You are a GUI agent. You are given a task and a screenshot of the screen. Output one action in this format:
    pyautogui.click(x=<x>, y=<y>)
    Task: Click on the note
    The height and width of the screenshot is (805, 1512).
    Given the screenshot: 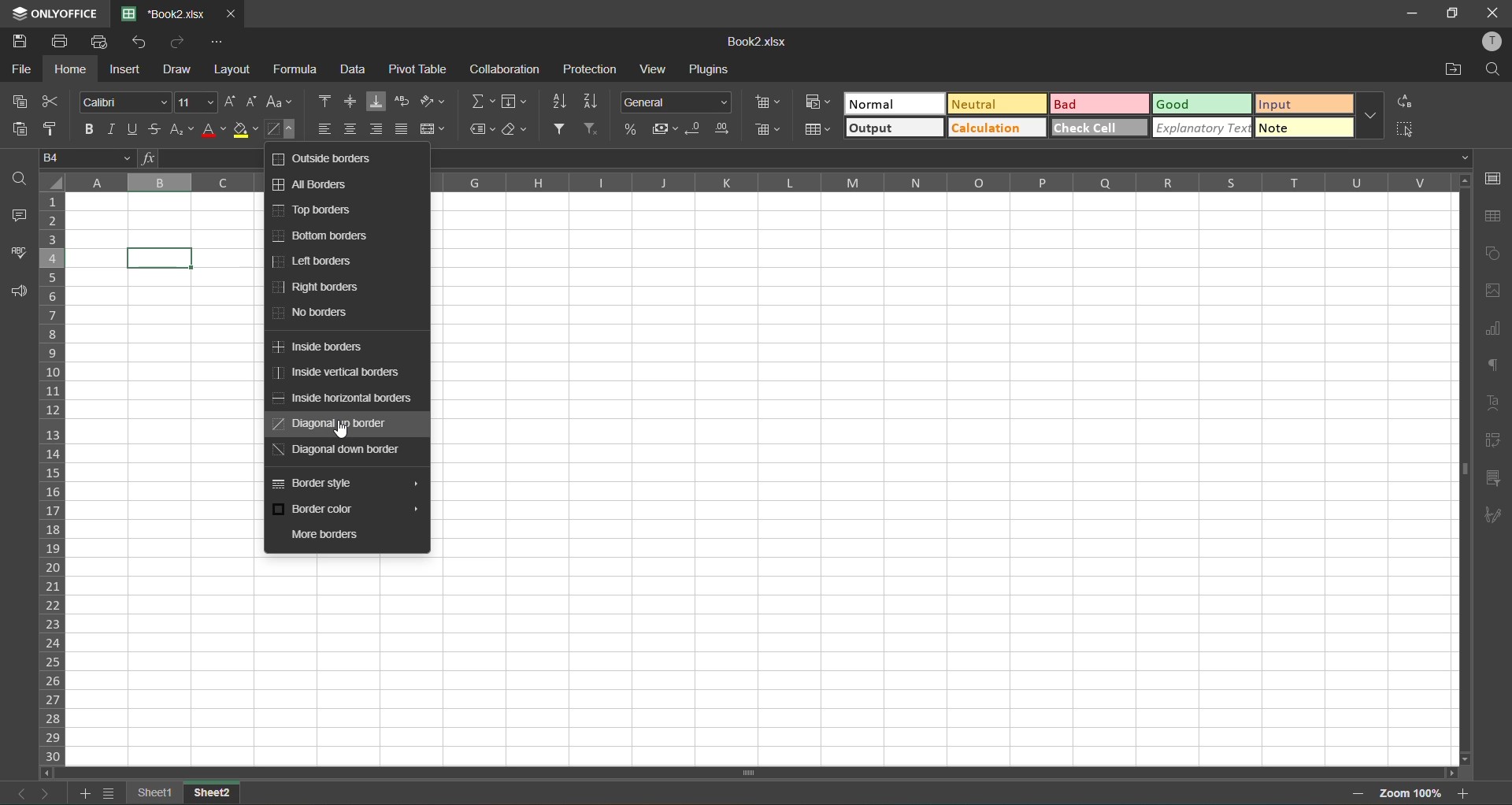 What is the action you would take?
    pyautogui.click(x=1301, y=130)
    